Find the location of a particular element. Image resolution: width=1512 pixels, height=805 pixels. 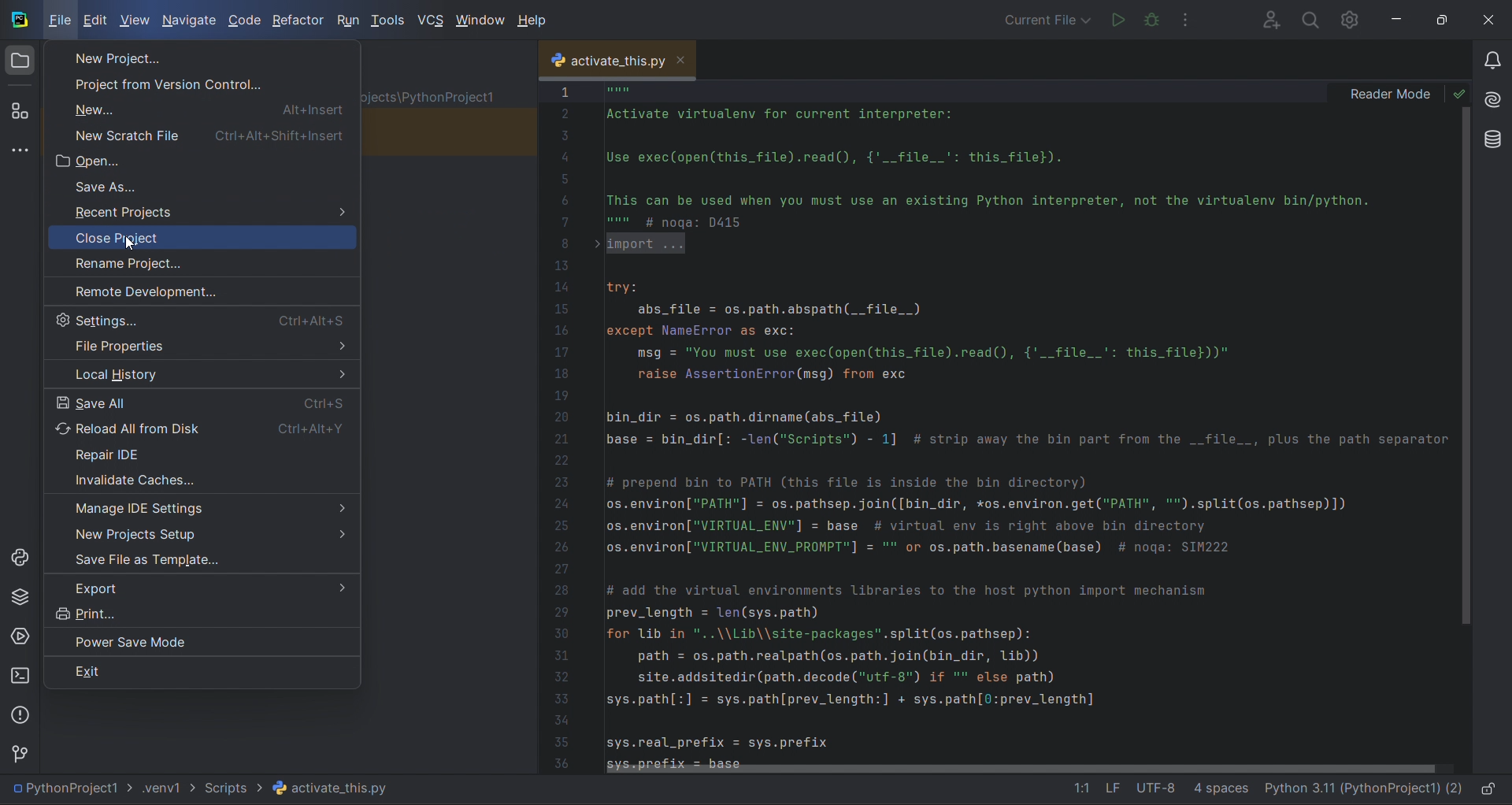

python package is located at coordinates (18, 602).